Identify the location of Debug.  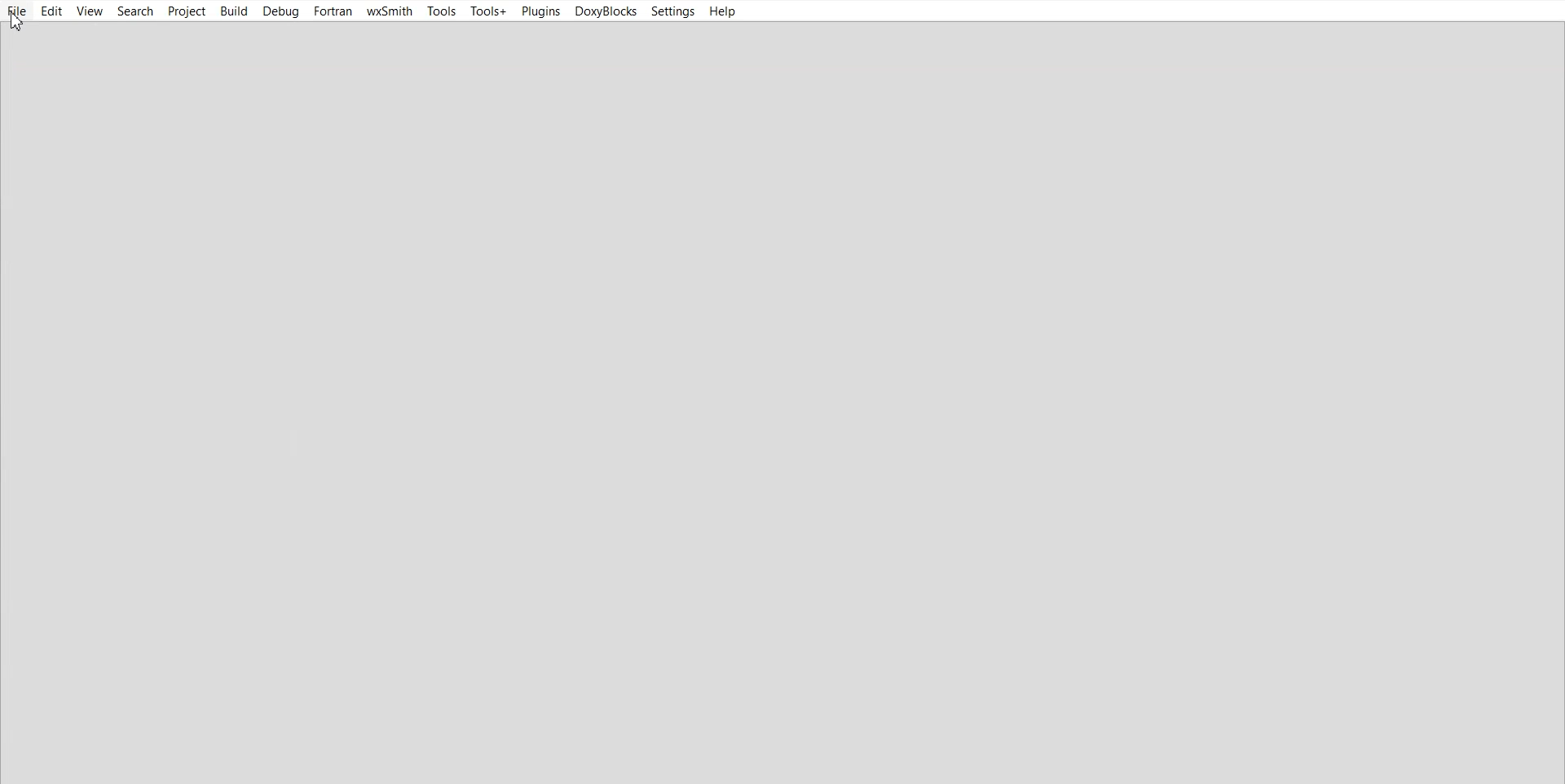
(281, 11).